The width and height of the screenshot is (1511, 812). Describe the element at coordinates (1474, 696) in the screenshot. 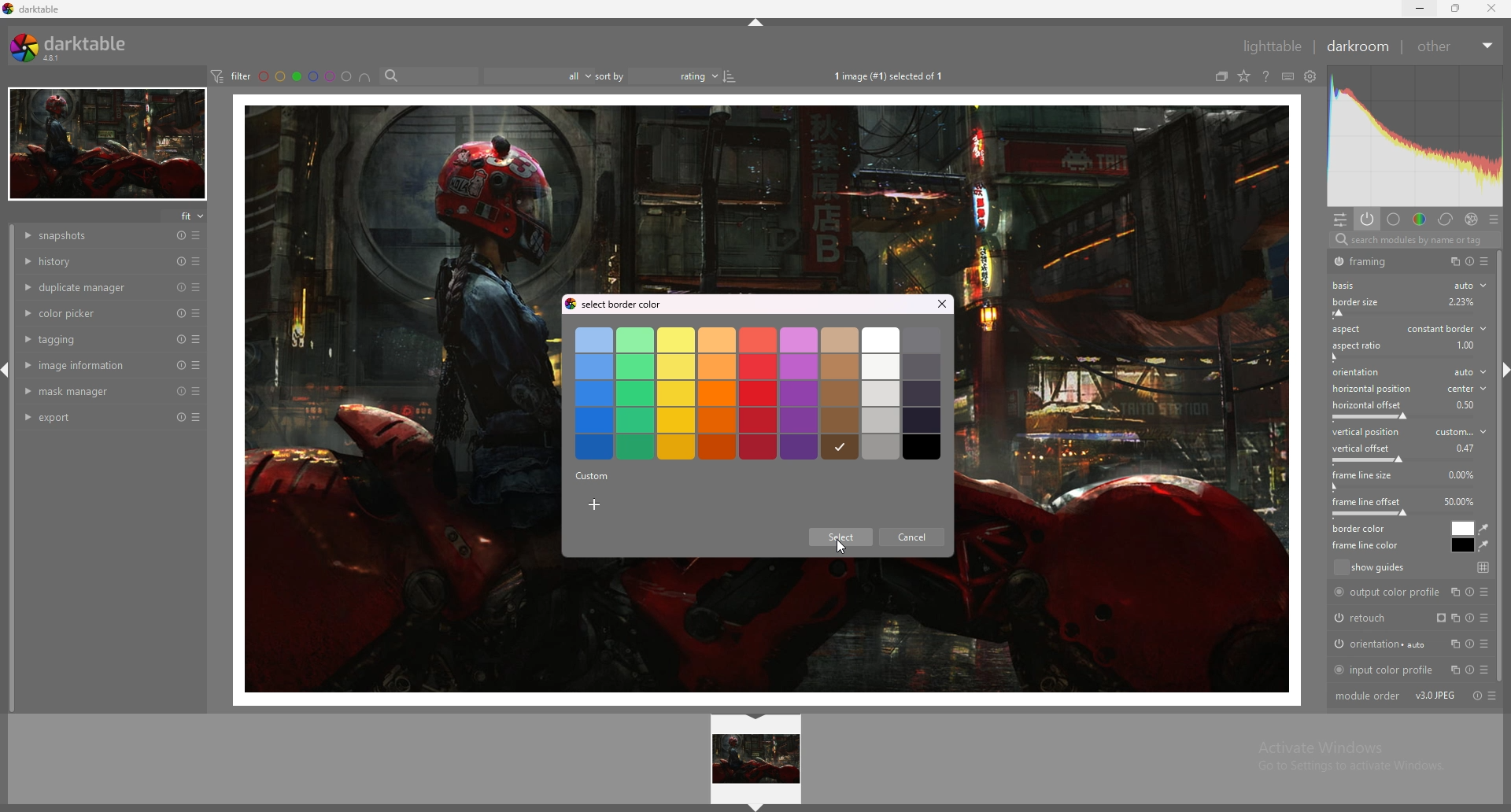

I see `toggle` at that location.